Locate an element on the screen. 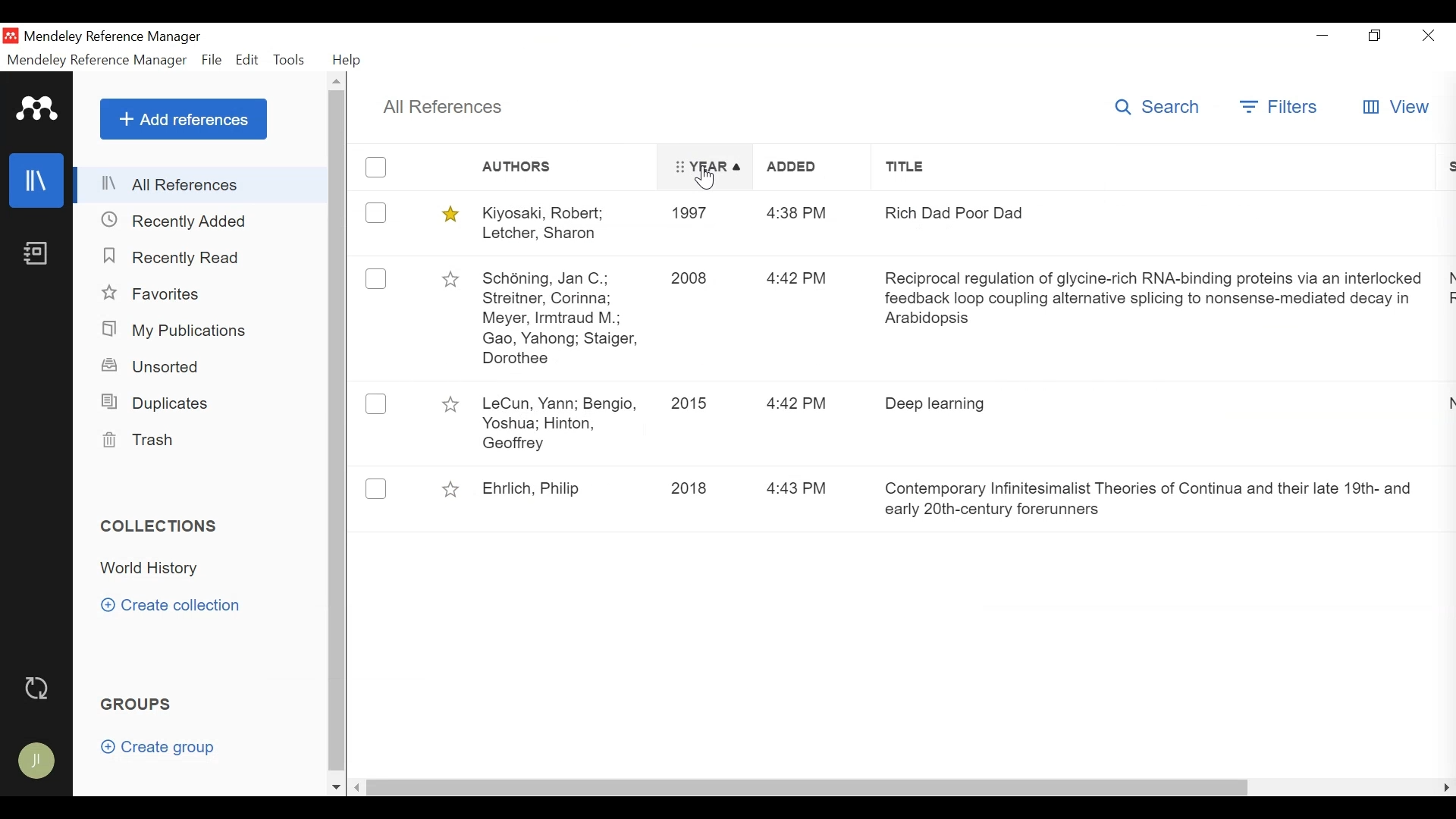 Image resolution: width=1456 pixels, height=819 pixels. Trash is located at coordinates (146, 440).